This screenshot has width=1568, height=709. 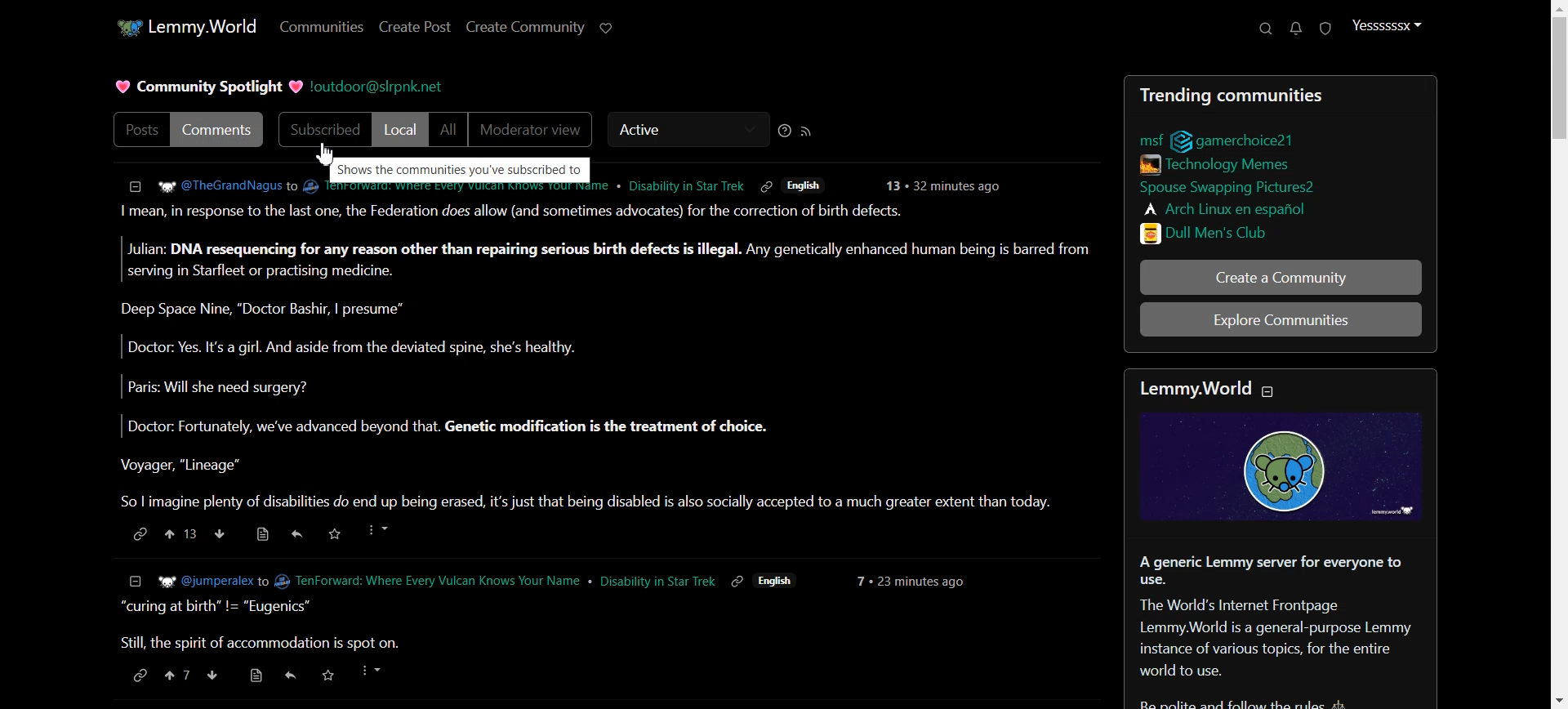 What do you see at coordinates (601, 626) in the screenshot?
I see `posts` at bounding box center [601, 626].